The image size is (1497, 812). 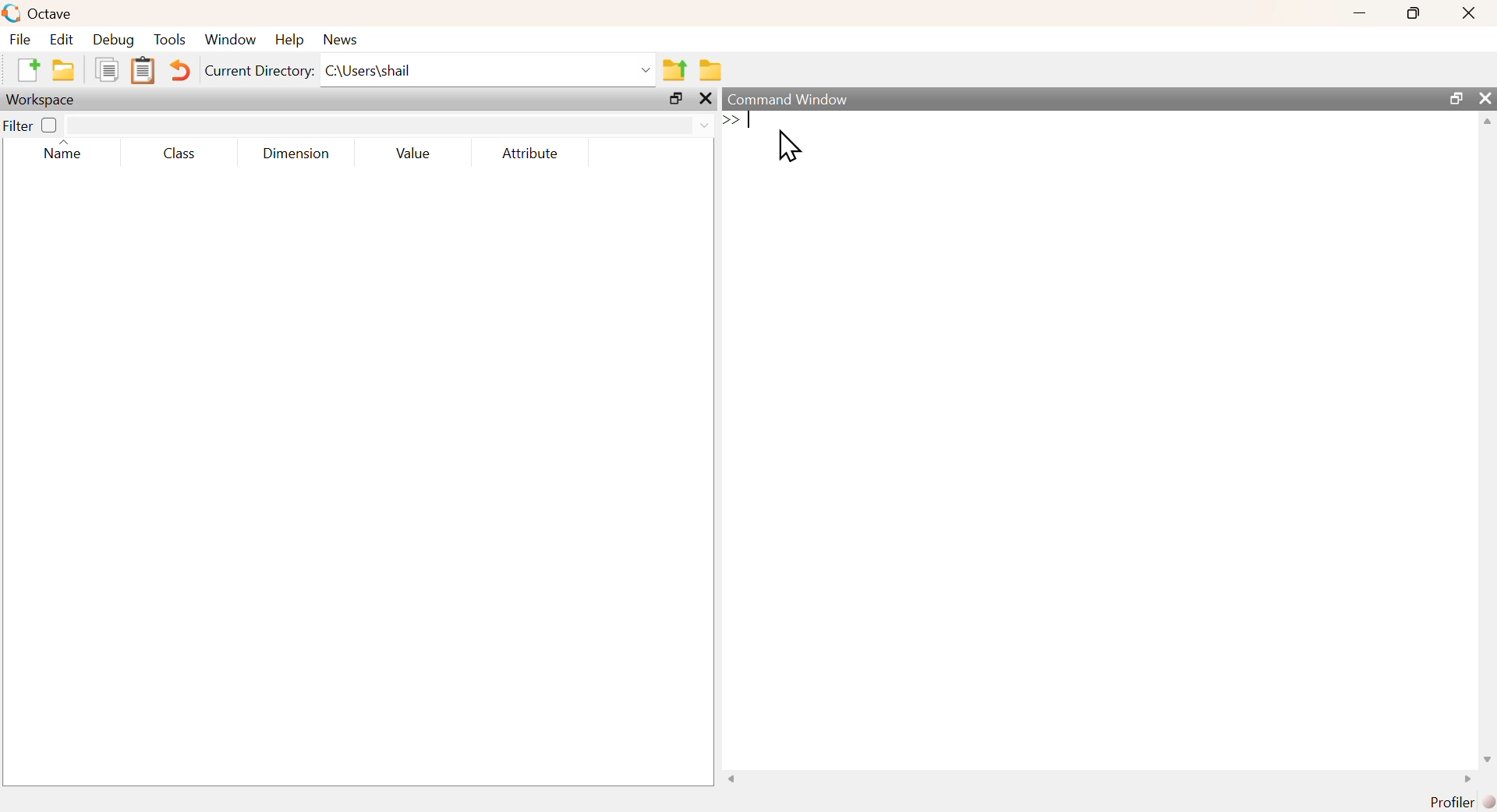 I want to click on Copy, so click(x=108, y=70).